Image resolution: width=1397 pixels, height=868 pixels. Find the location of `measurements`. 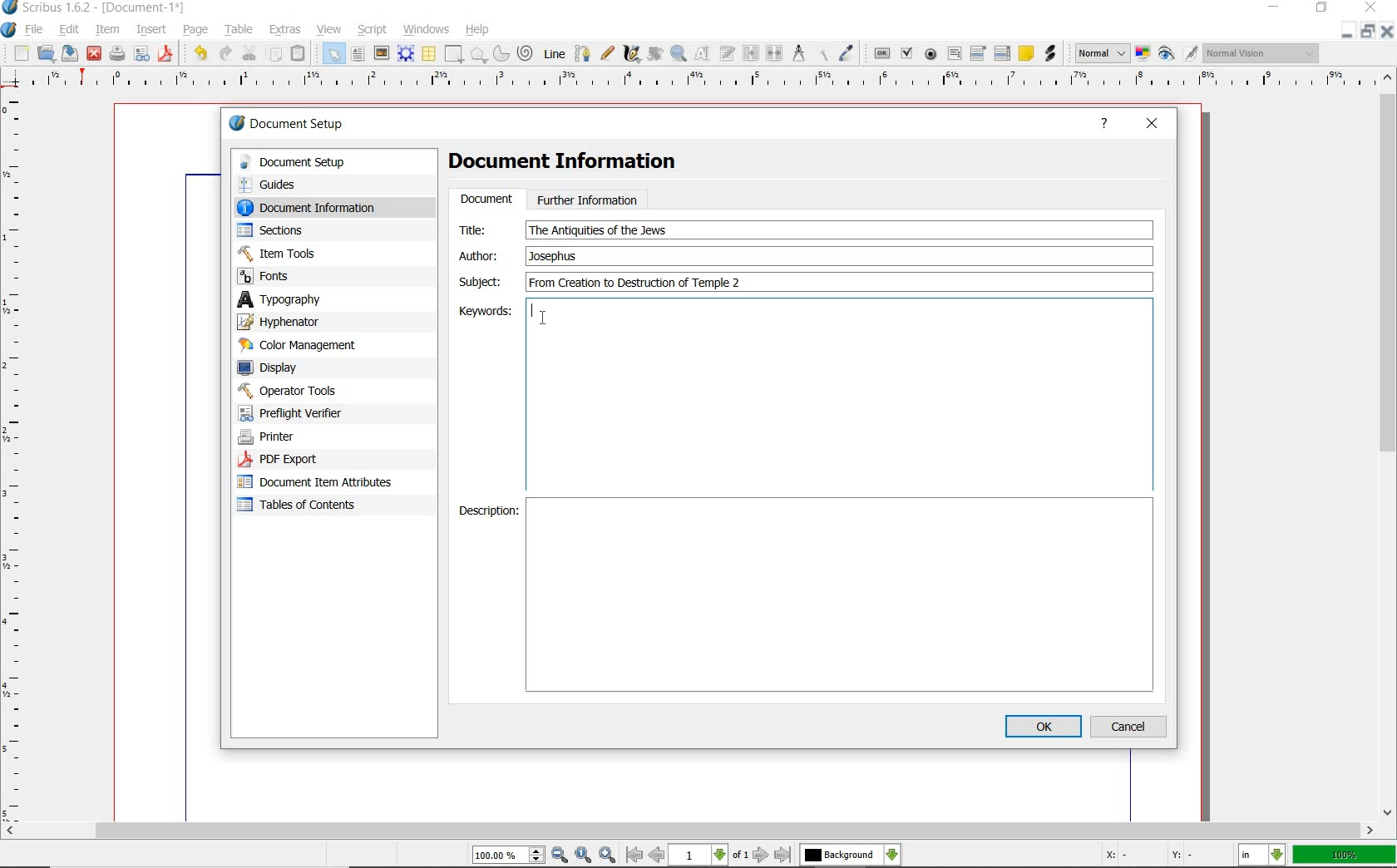

measurements is located at coordinates (797, 53).